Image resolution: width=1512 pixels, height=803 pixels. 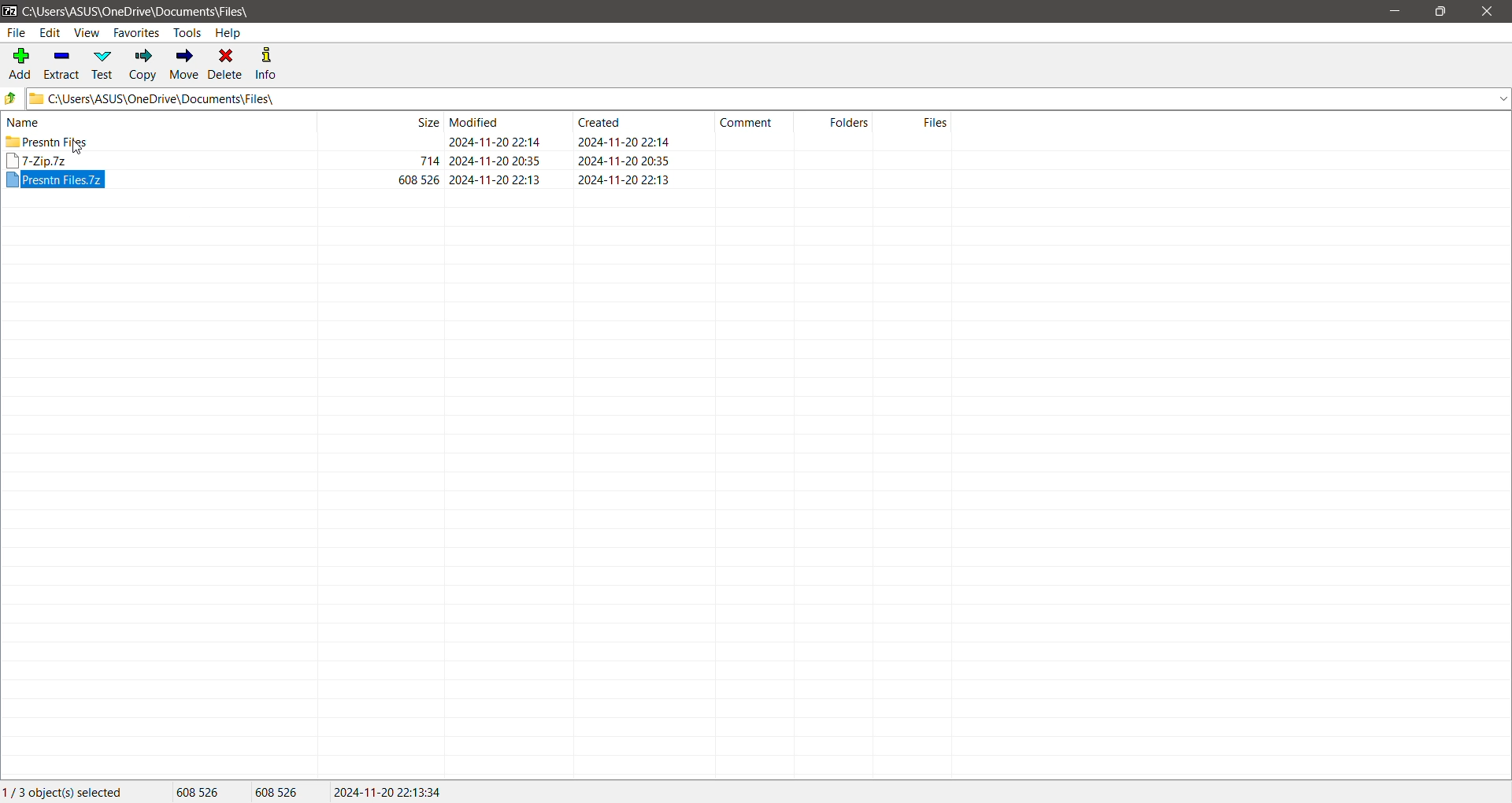 I want to click on modified date & time, so click(x=495, y=142).